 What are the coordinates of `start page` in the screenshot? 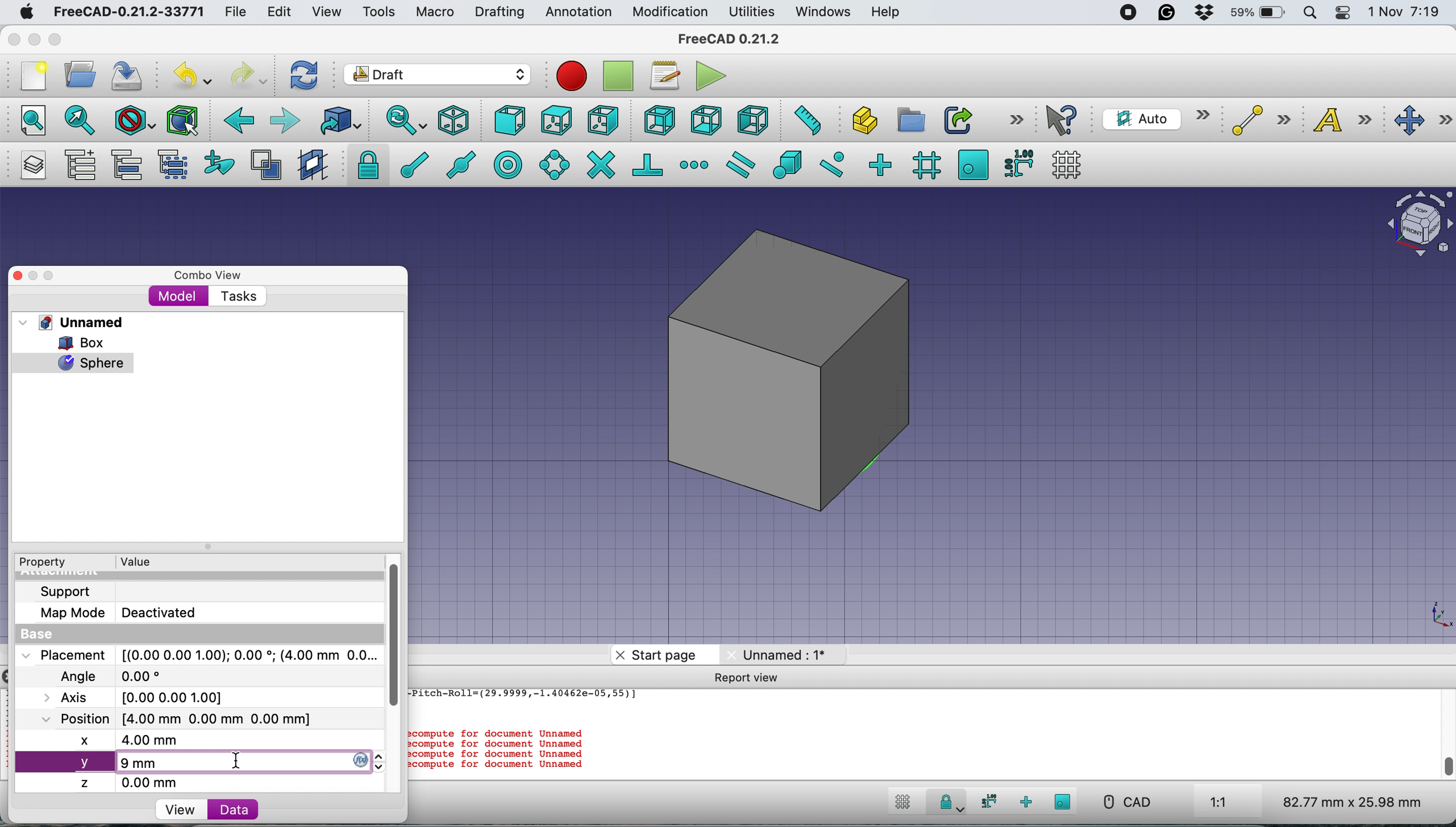 It's located at (665, 654).